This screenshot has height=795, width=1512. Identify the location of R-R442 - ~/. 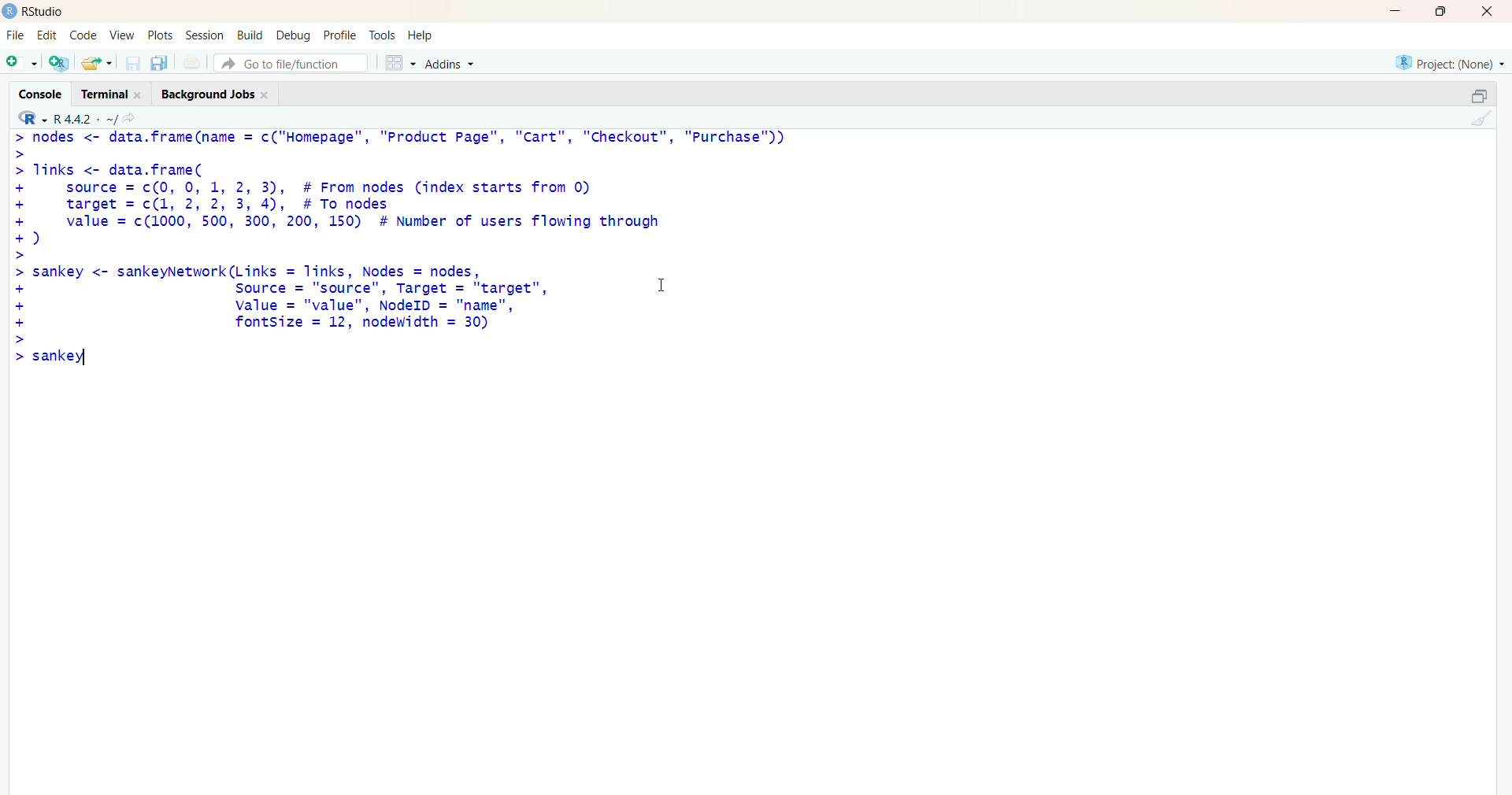
(101, 119).